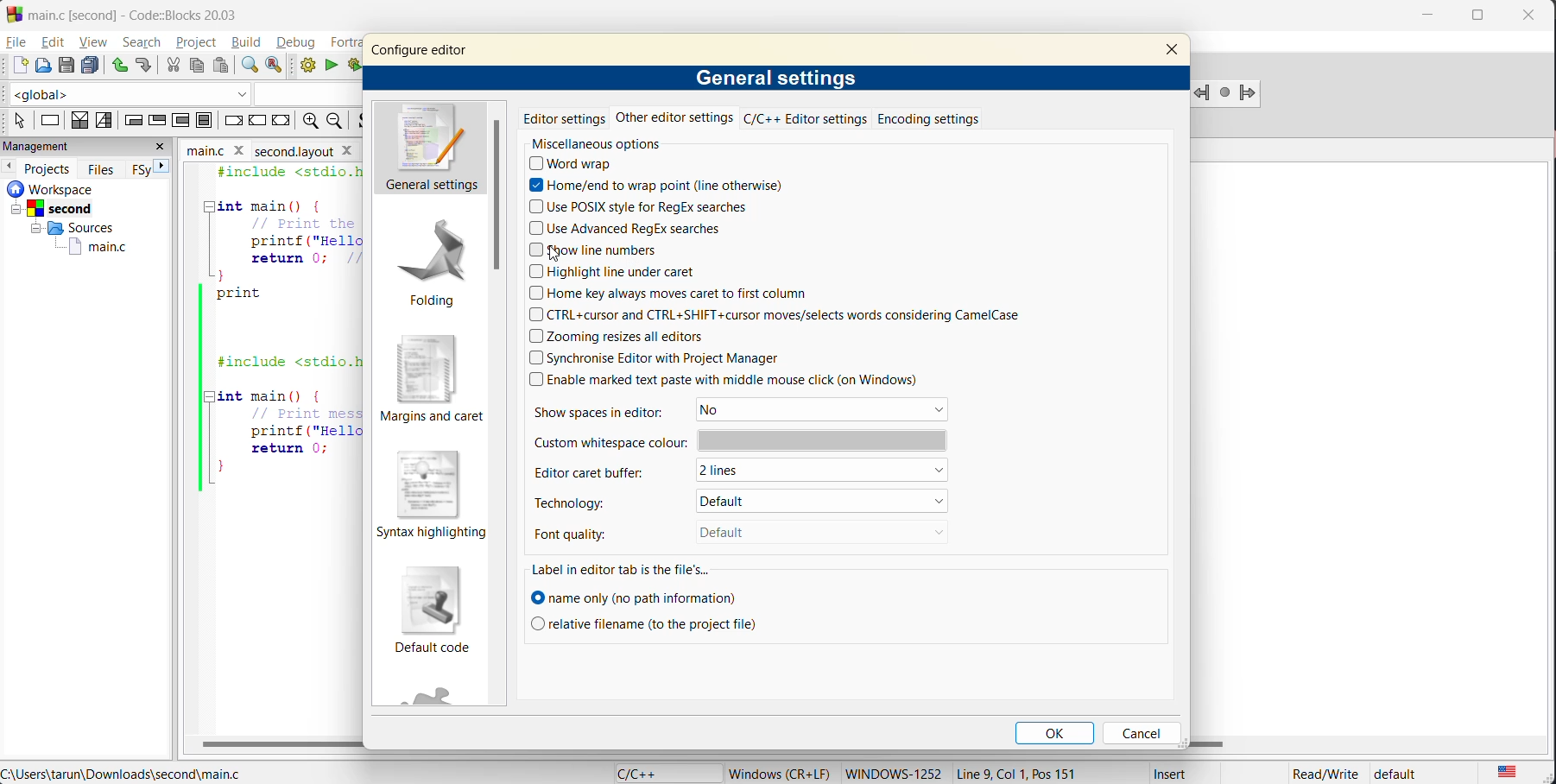 The height and width of the screenshot is (784, 1556). What do you see at coordinates (1057, 731) in the screenshot?
I see `ok` at bounding box center [1057, 731].